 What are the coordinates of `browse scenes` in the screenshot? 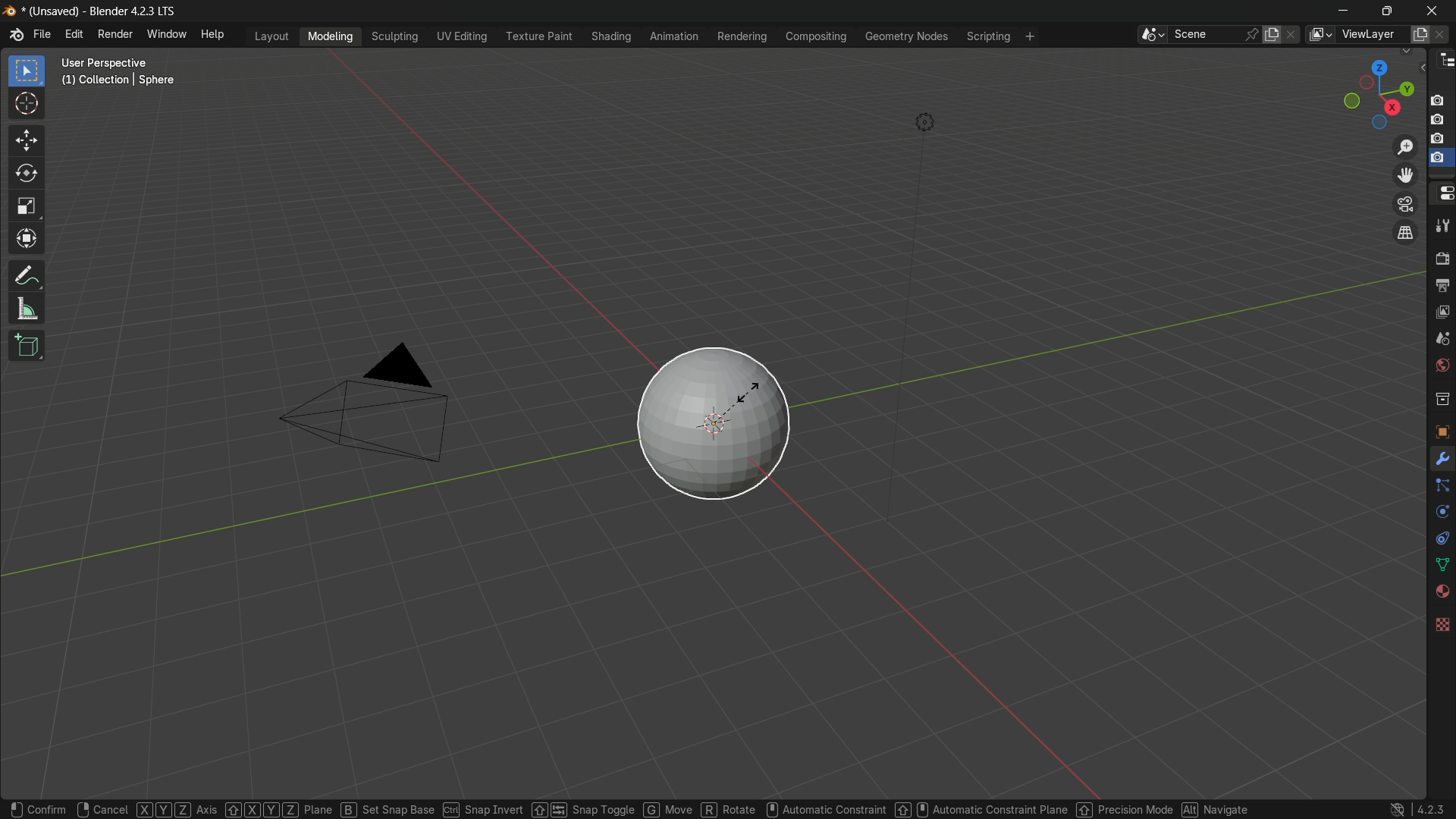 It's located at (1150, 35).